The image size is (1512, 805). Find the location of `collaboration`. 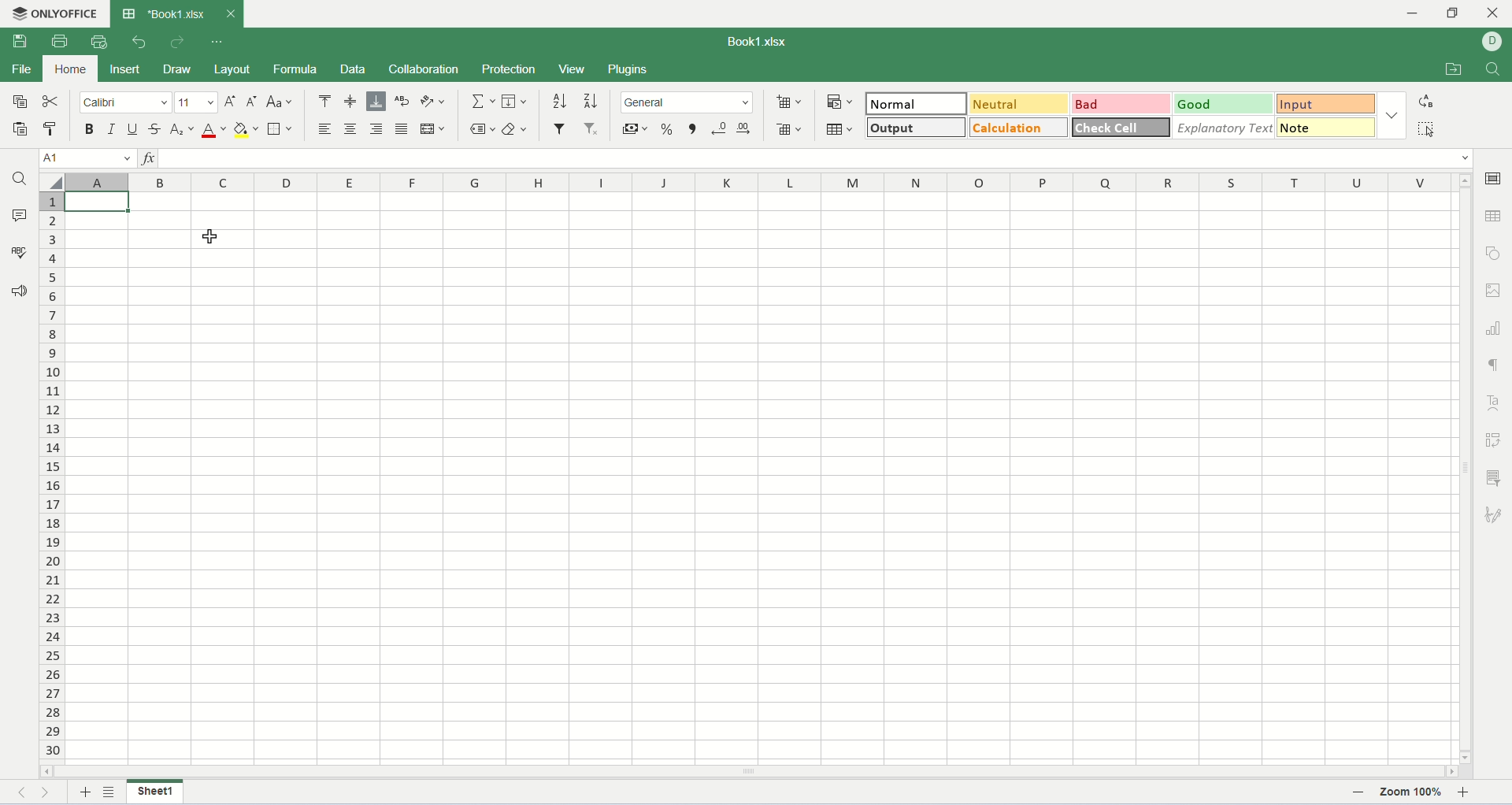

collaboration is located at coordinates (424, 69).